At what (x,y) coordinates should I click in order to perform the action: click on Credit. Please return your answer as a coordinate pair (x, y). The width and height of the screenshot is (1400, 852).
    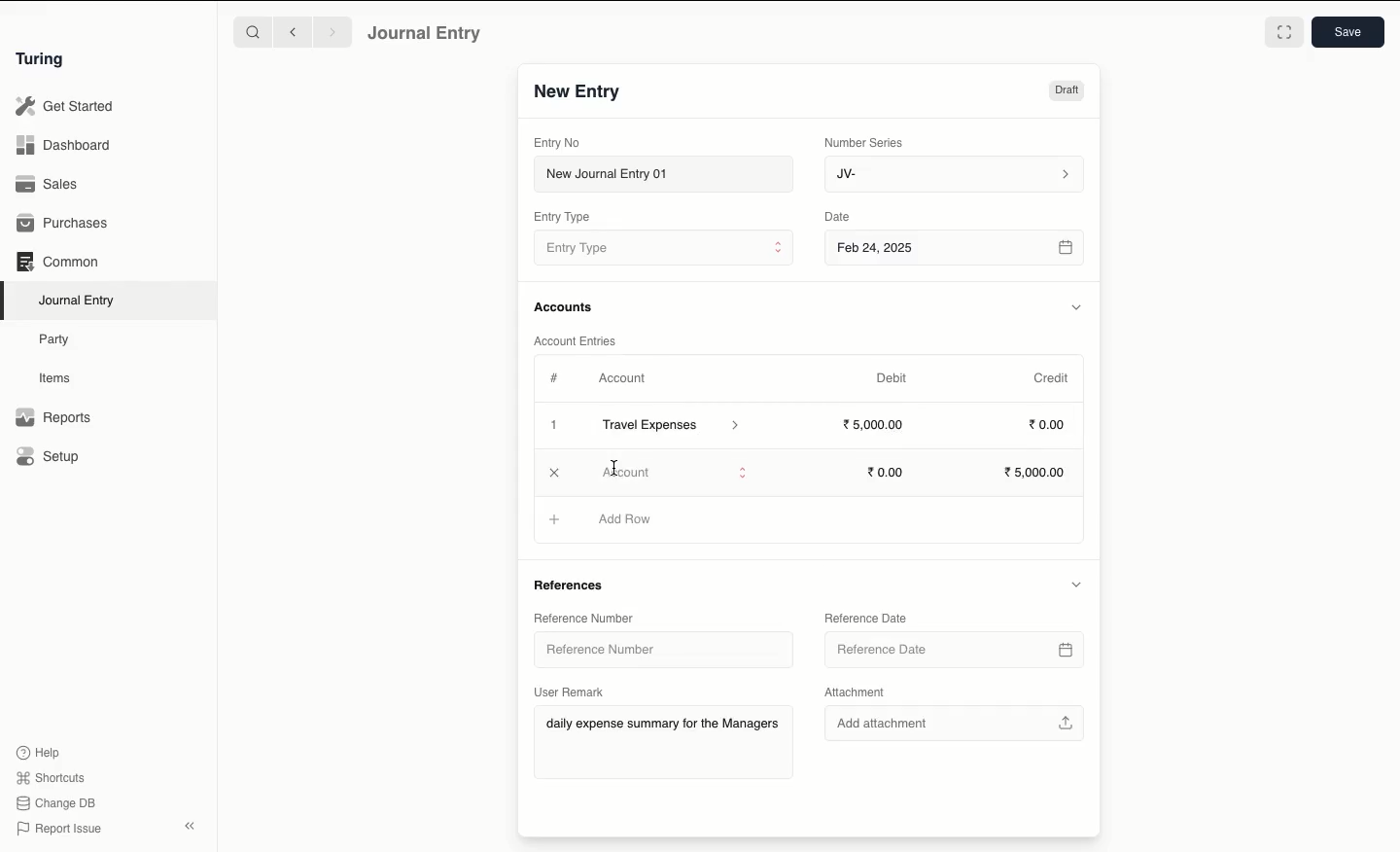
    Looking at the image, I should click on (1053, 378).